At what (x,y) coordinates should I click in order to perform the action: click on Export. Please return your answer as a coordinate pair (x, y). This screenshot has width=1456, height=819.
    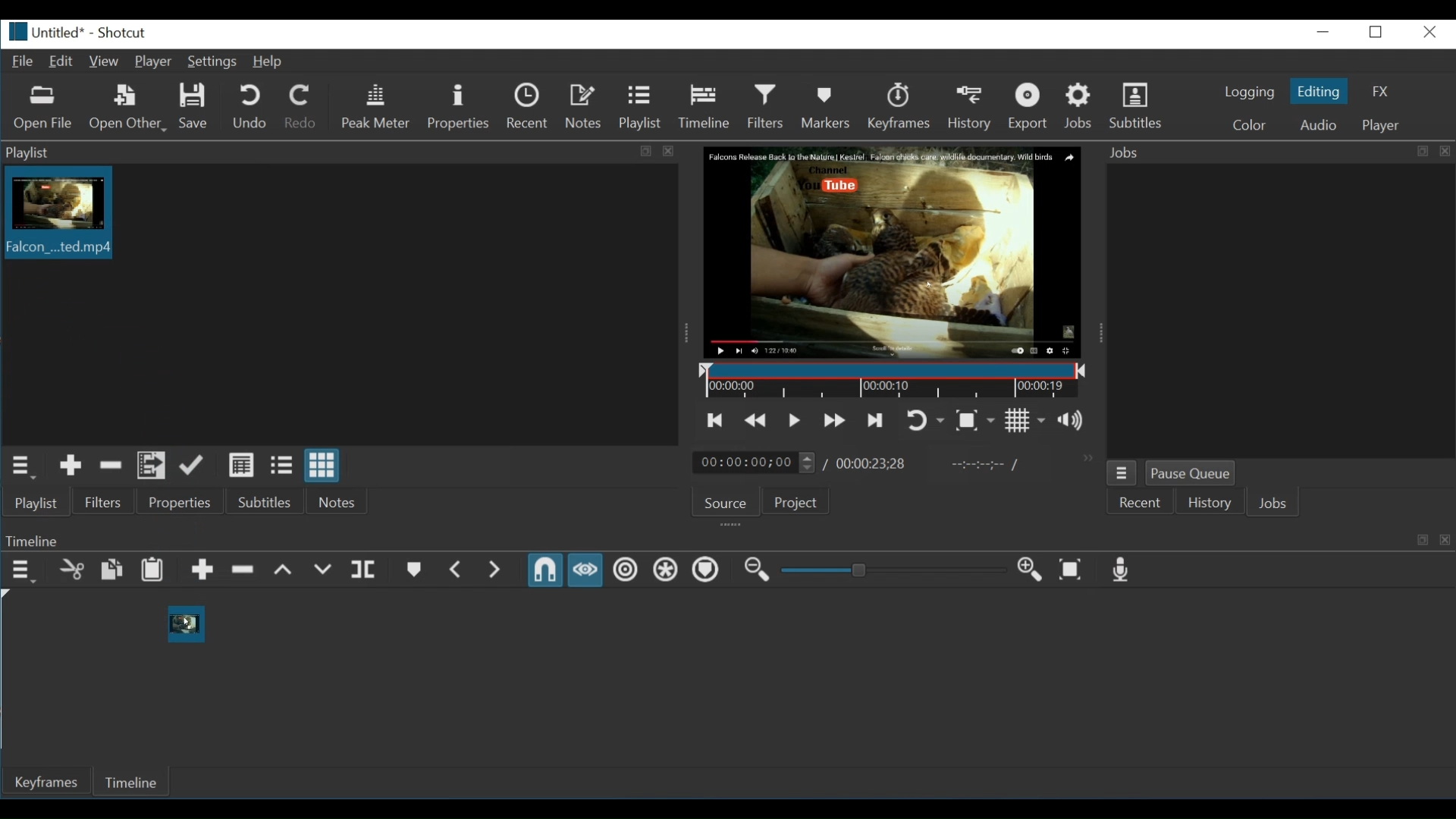
    Looking at the image, I should click on (1034, 106).